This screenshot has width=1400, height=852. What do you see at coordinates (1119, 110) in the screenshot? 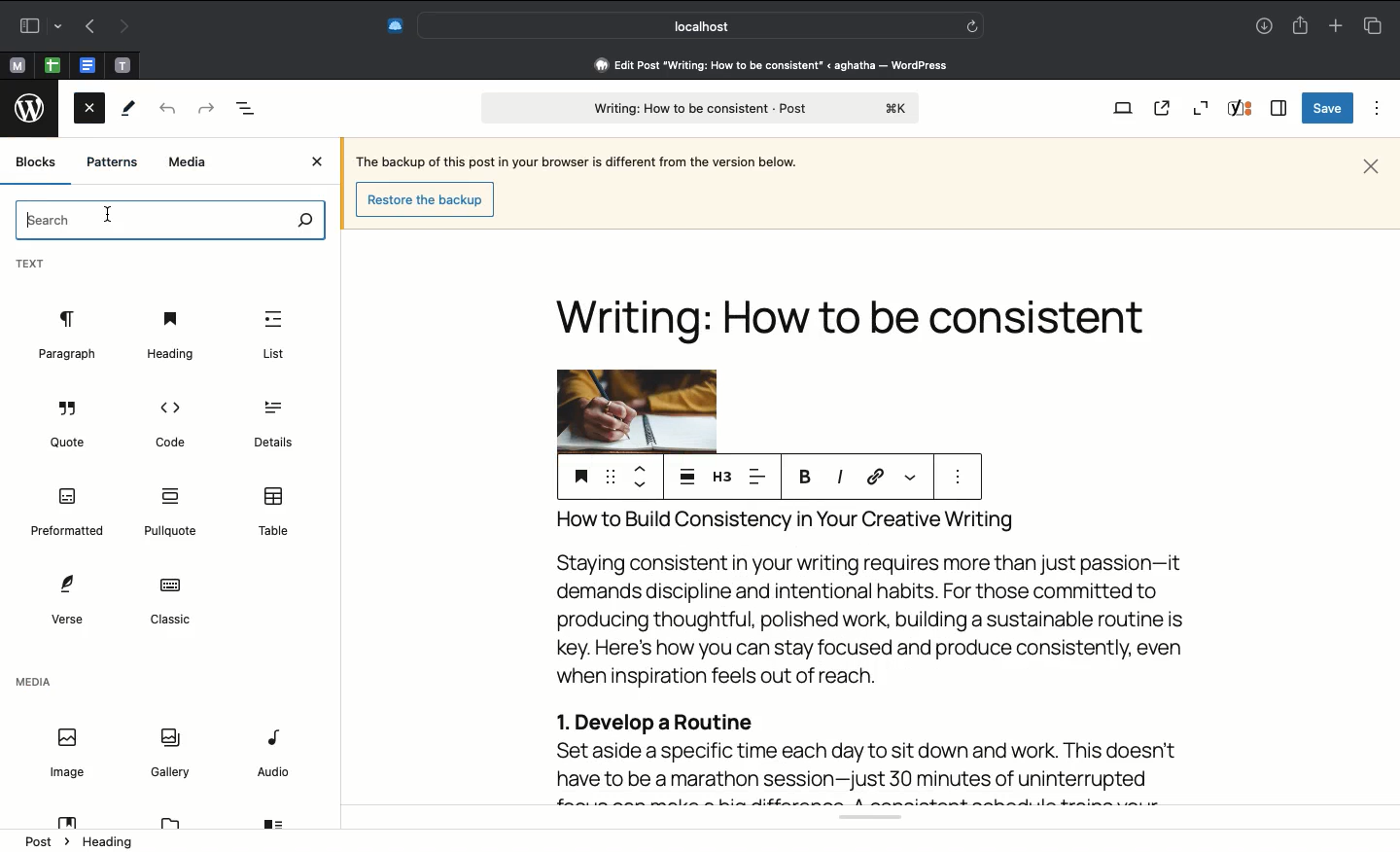
I see `View` at bounding box center [1119, 110].